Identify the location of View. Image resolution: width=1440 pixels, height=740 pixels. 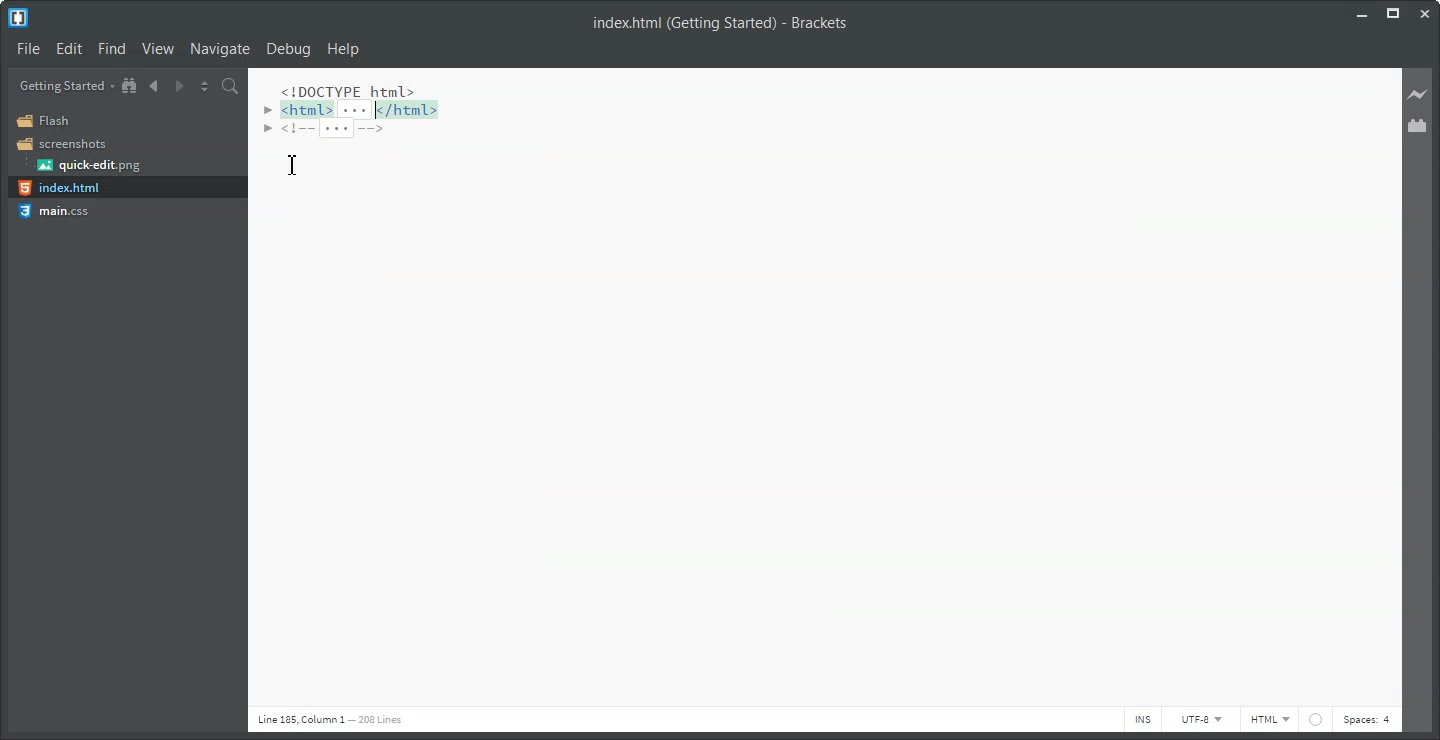
(158, 48).